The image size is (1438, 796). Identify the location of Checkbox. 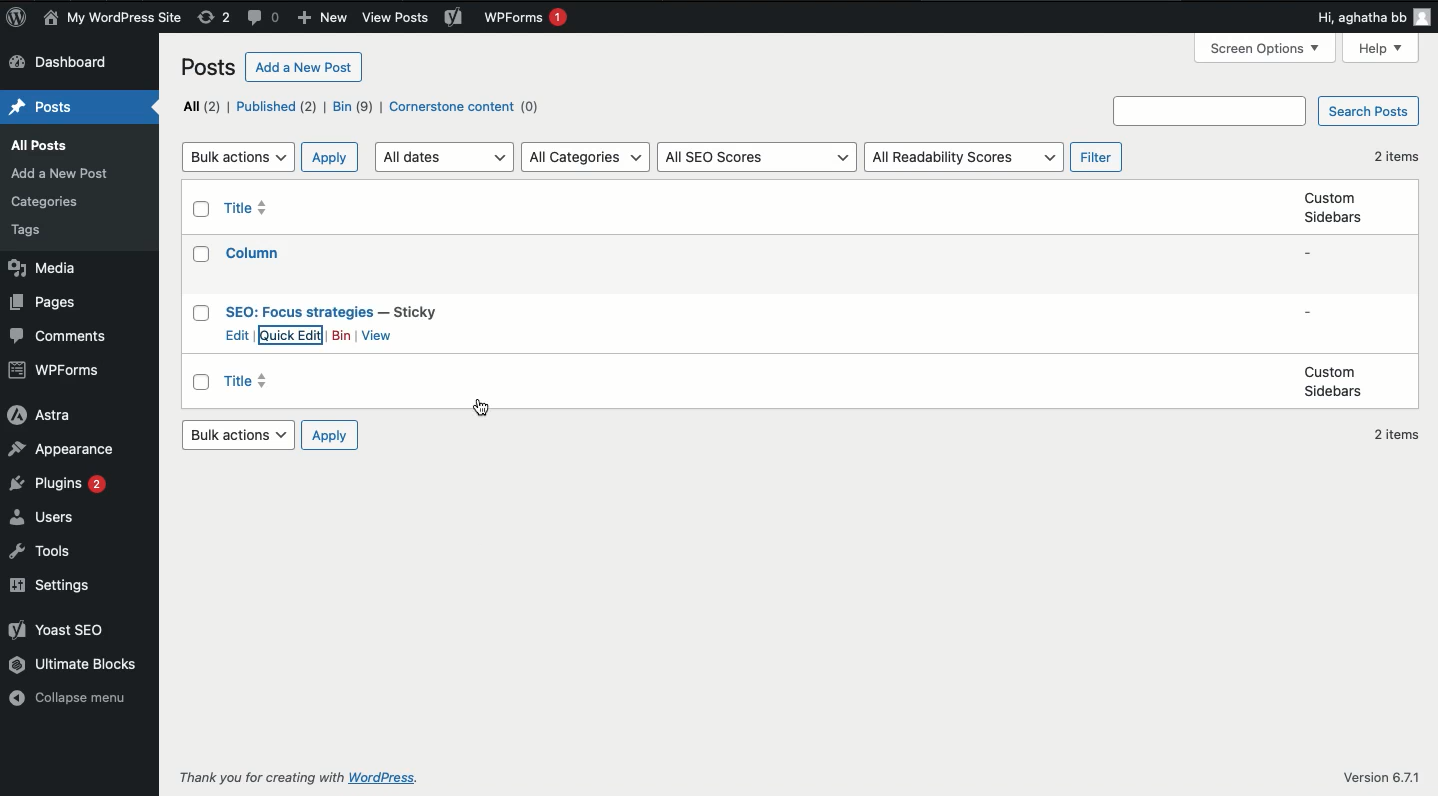
(203, 210).